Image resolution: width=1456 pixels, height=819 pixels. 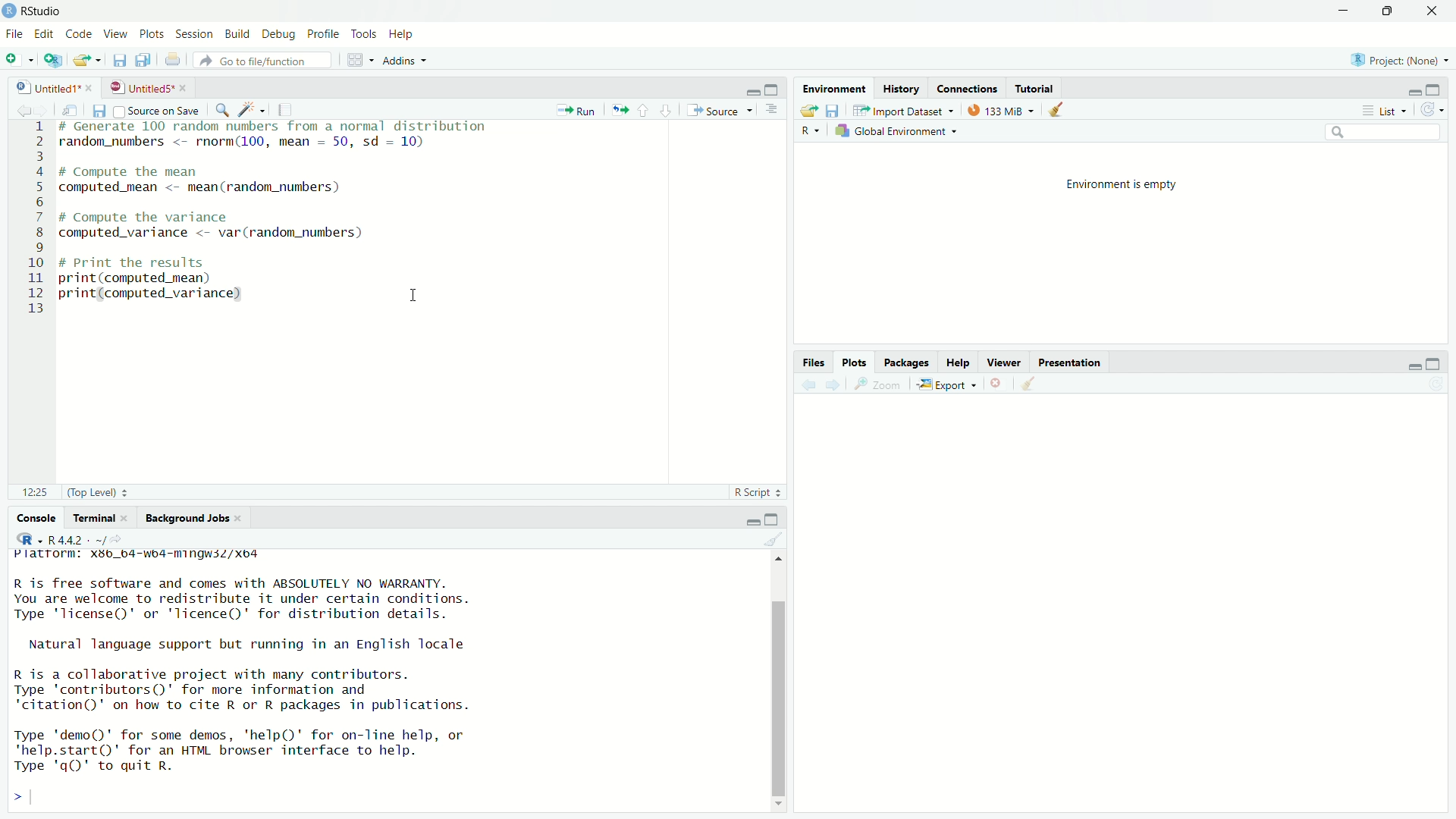 What do you see at coordinates (808, 385) in the screenshot?
I see `previous plot` at bounding box center [808, 385].